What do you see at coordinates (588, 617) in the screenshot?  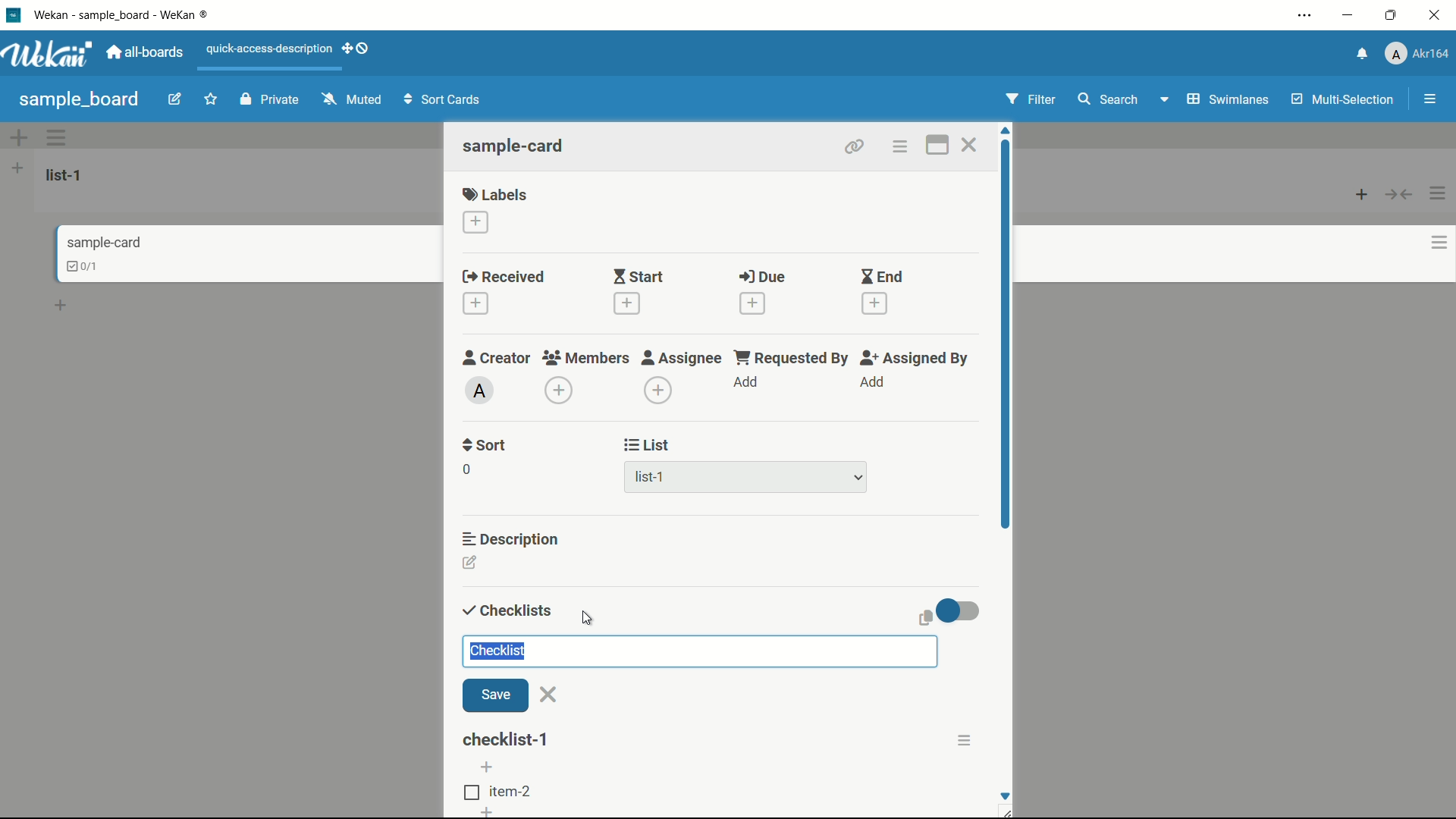 I see `cursor` at bounding box center [588, 617].